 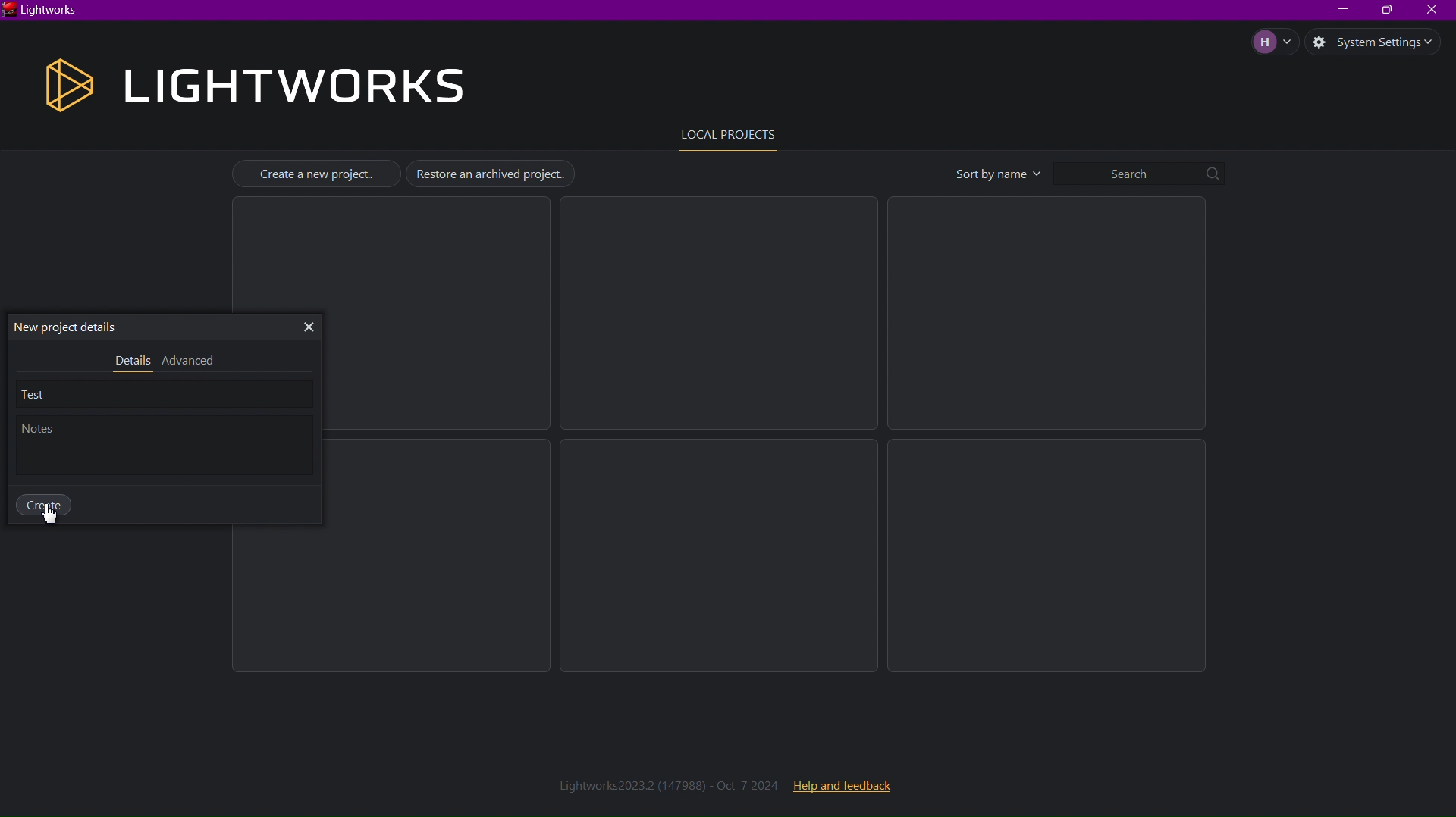 What do you see at coordinates (72, 327) in the screenshot?
I see `New Project Details` at bounding box center [72, 327].